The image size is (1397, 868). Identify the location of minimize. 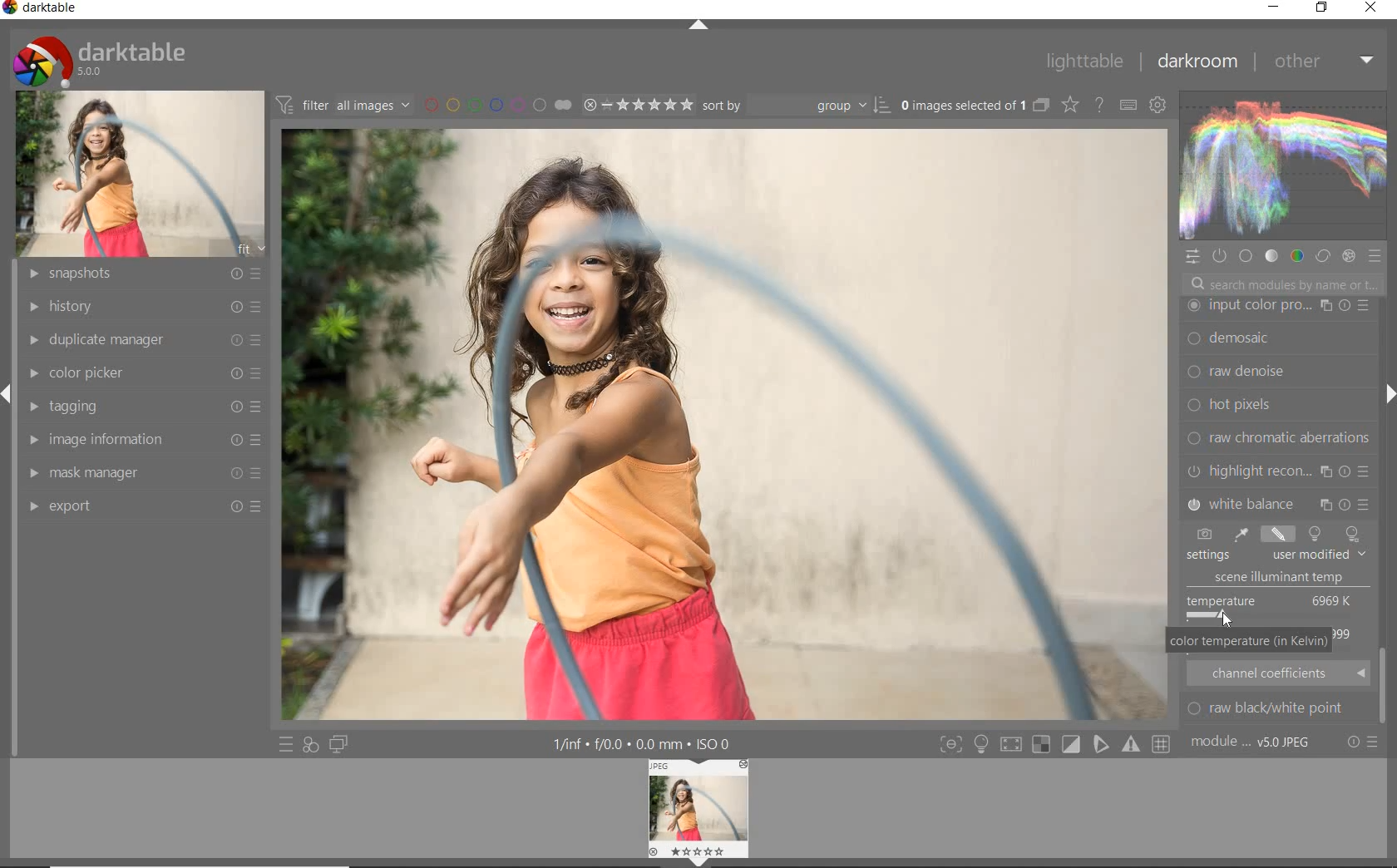
(1273, 6).